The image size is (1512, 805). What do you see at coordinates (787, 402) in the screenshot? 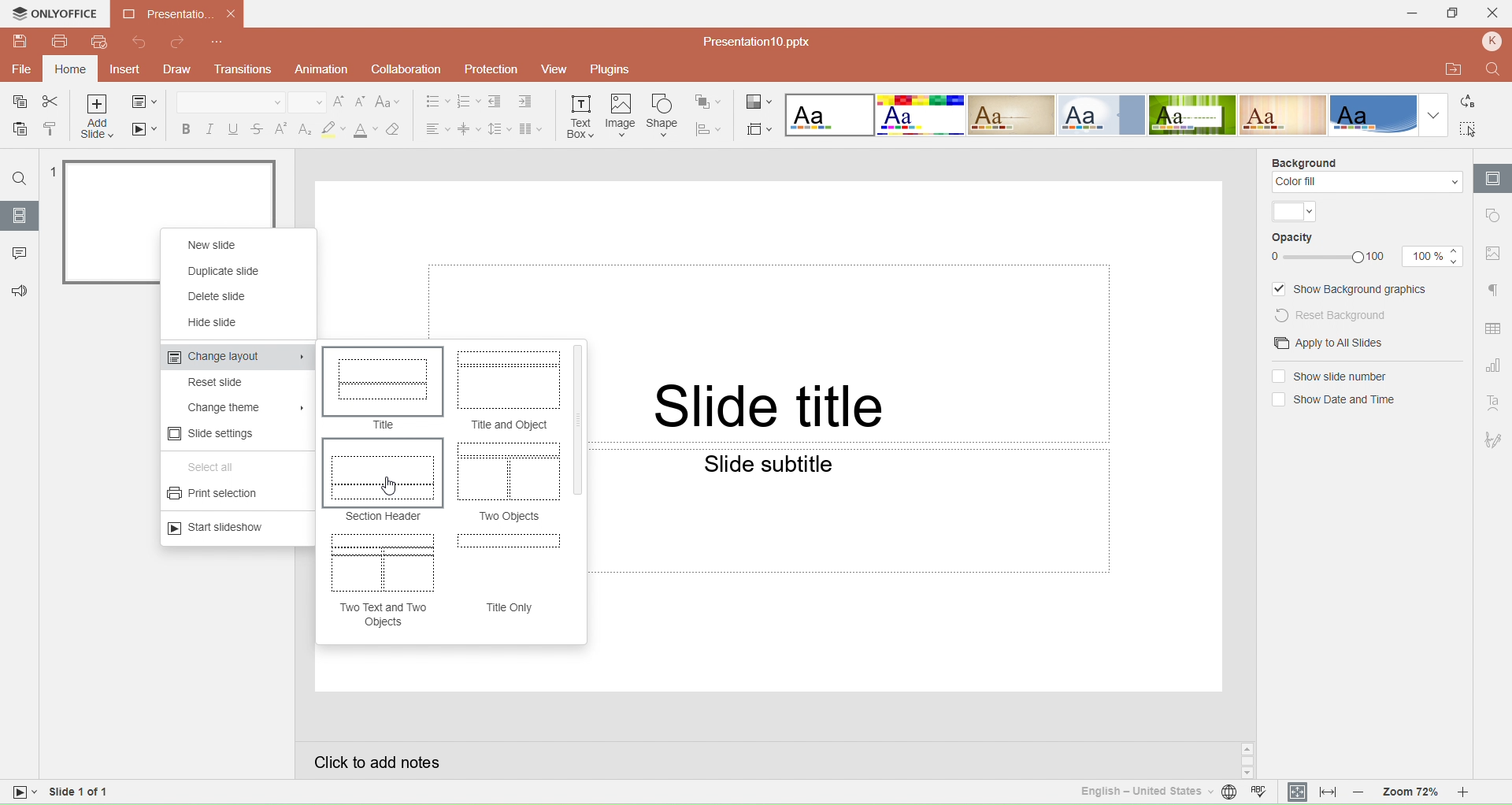
I see `Slide title` at bounding box center [787, 402].